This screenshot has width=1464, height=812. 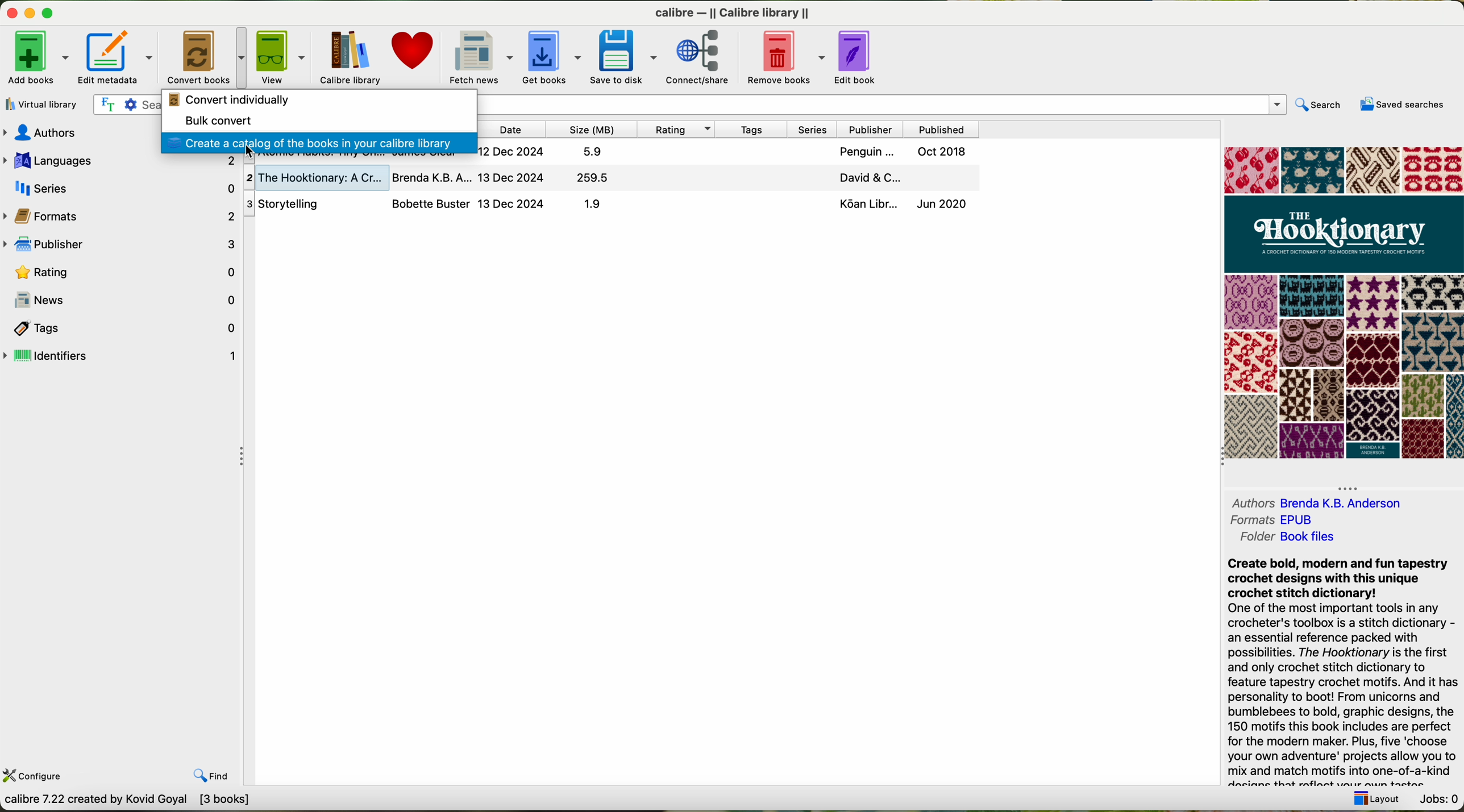 I want to click on Collapse, so click(x=246, y=459).